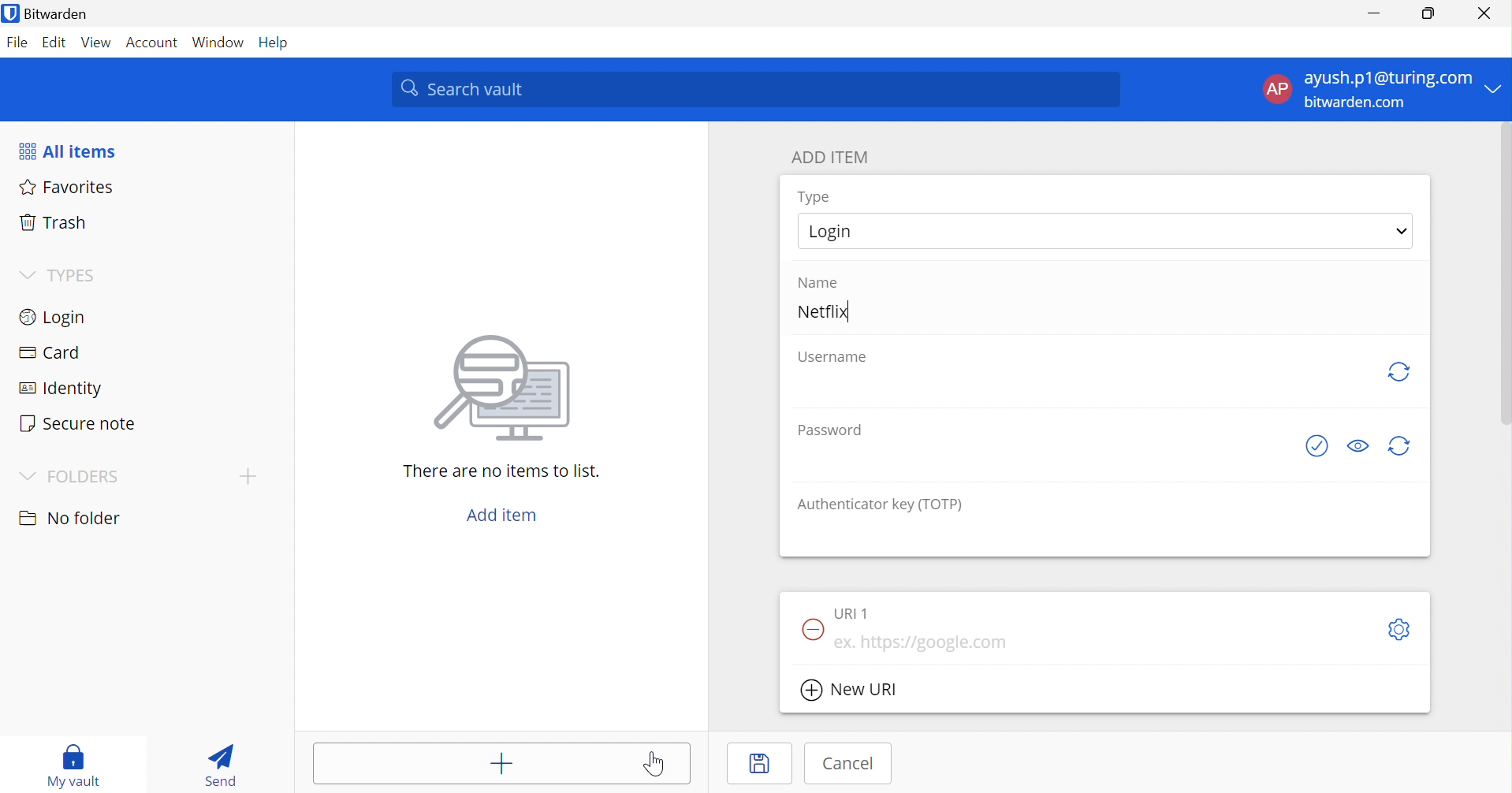  Describe the element at coordinates (880, 506) in the screenshot. I see `Authentication key (TOTP)` at that location.